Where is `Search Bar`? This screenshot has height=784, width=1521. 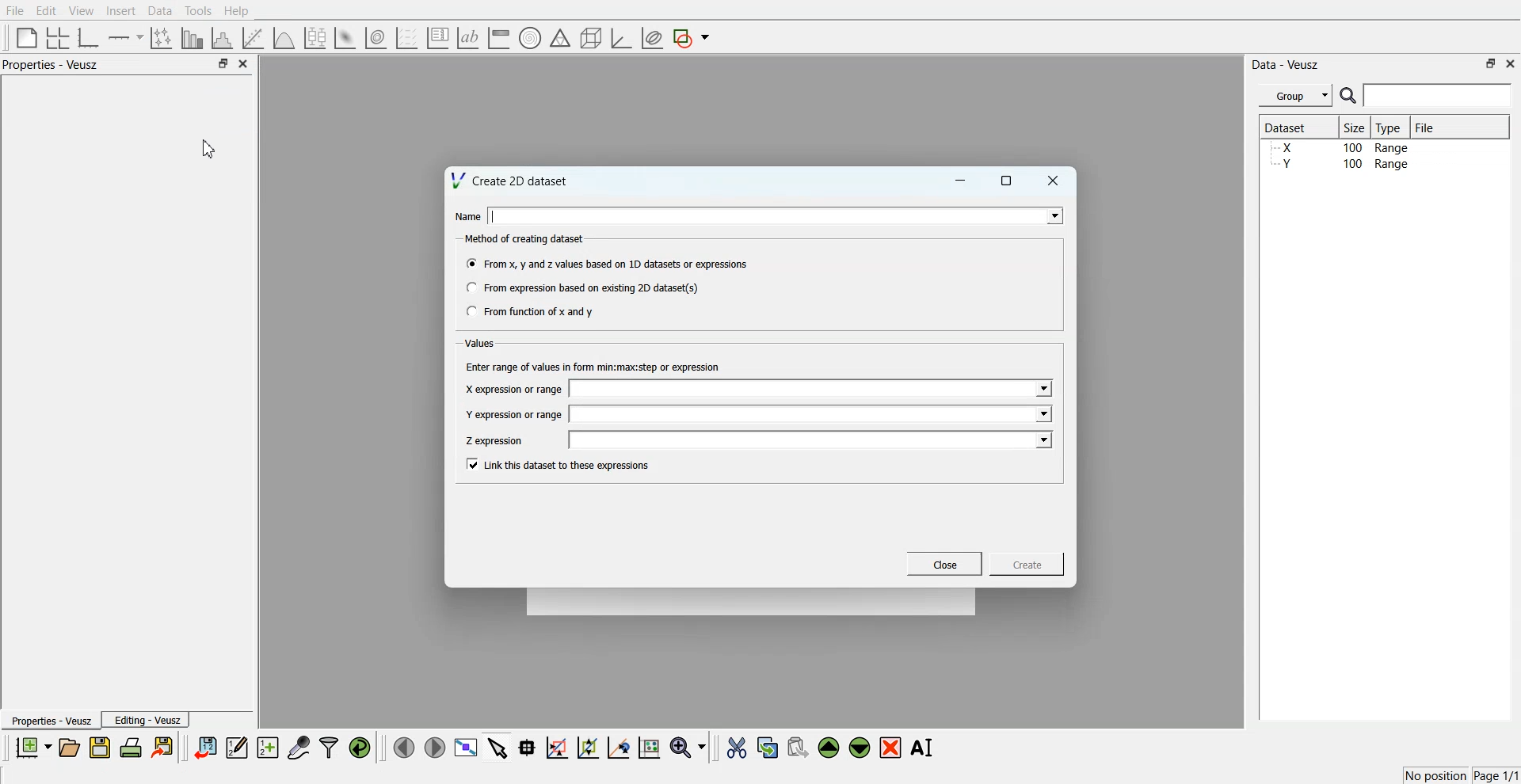 Search Bar is located at coordinates (1427, 95).